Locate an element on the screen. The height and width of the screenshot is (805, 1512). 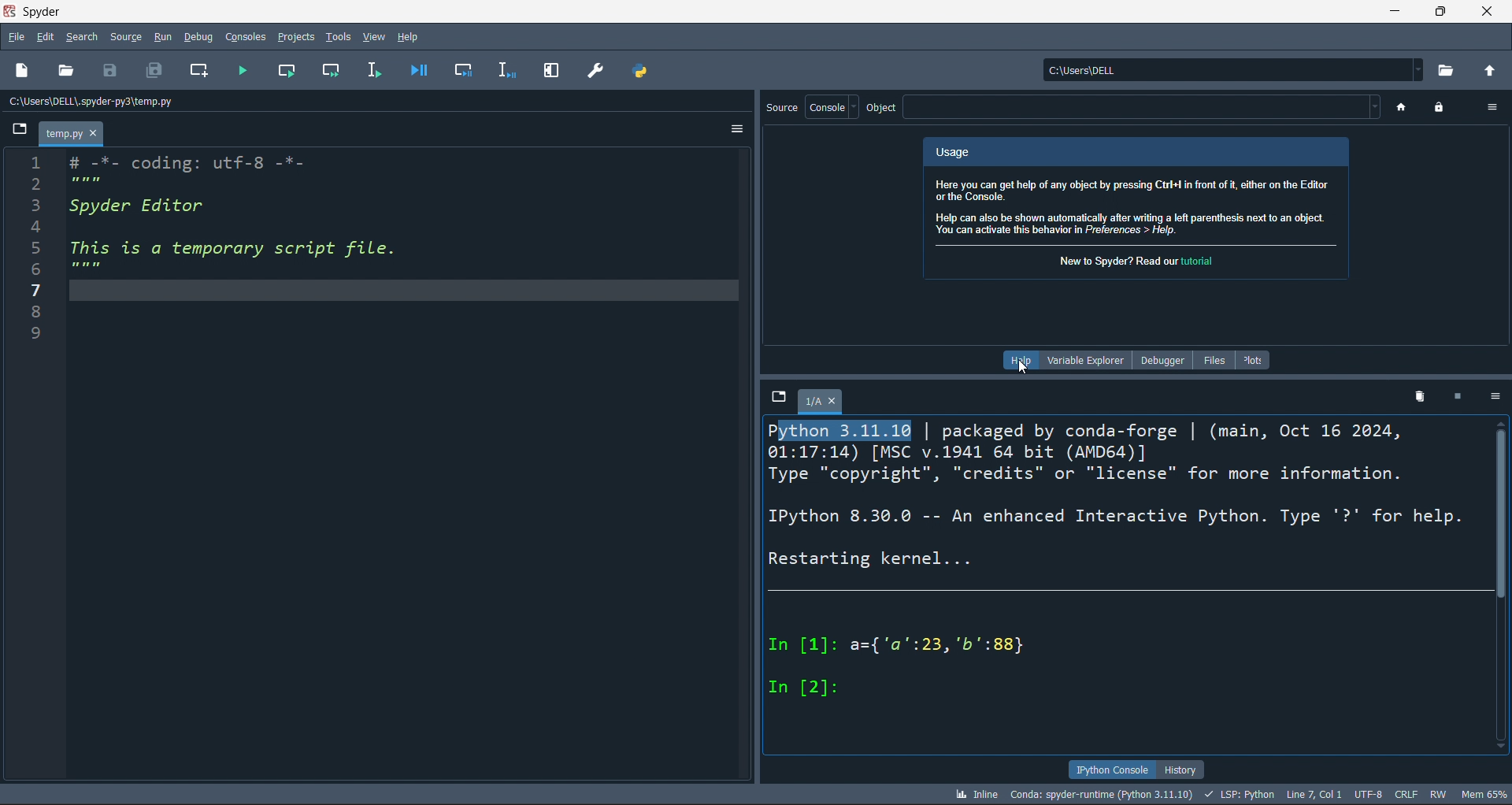
1 # -*- coding: utf-8 -*-

5 mem

3 Spyder Editor

4

5 This is a temporary script file.
PR

7/

8

9 is located at coordinates (229, 251).